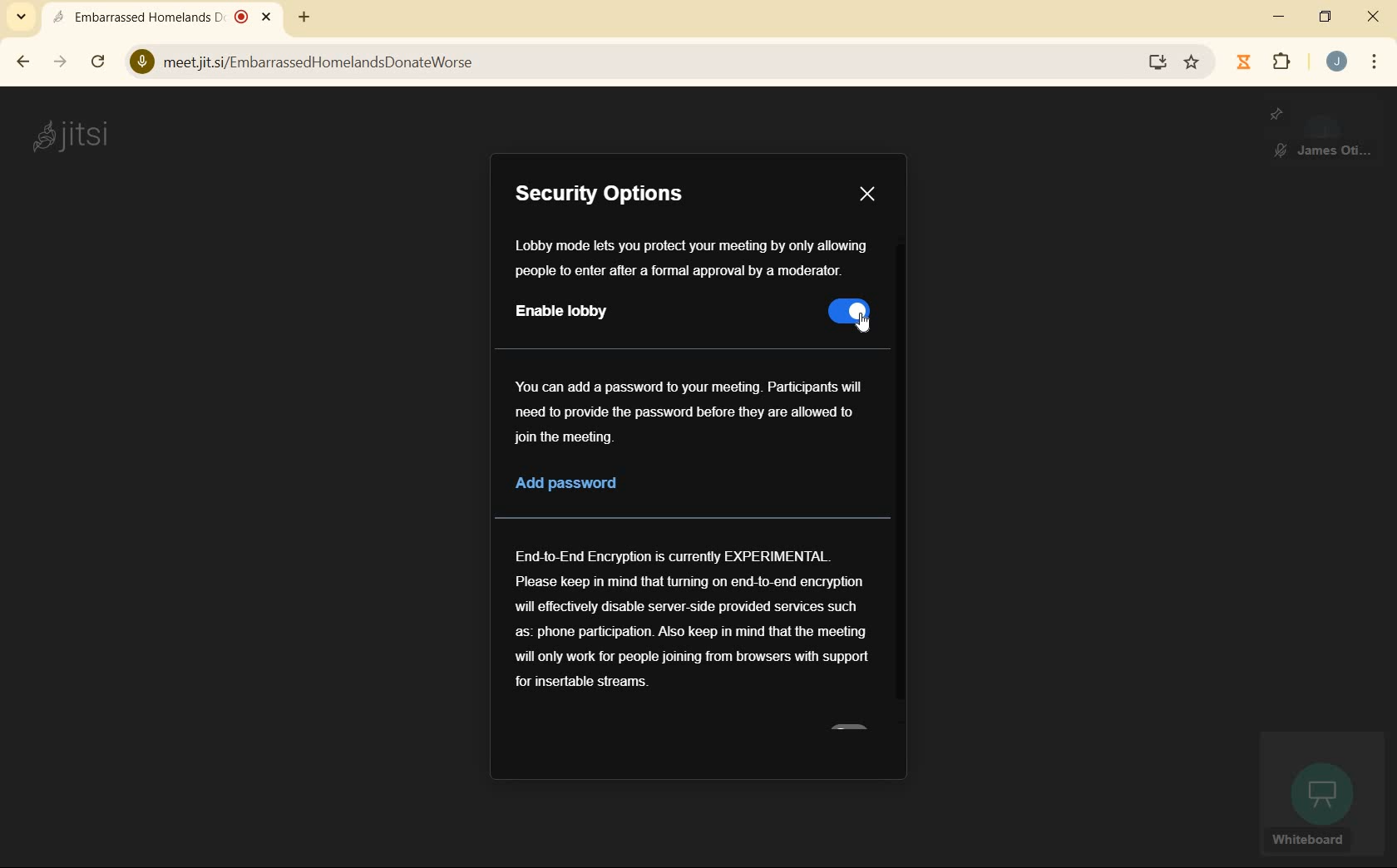 This screenshot has height=868, width=1397. Describe the element at coordinates (1322, 135) in the screenshot. I see `moderator screen pinned` at that location.